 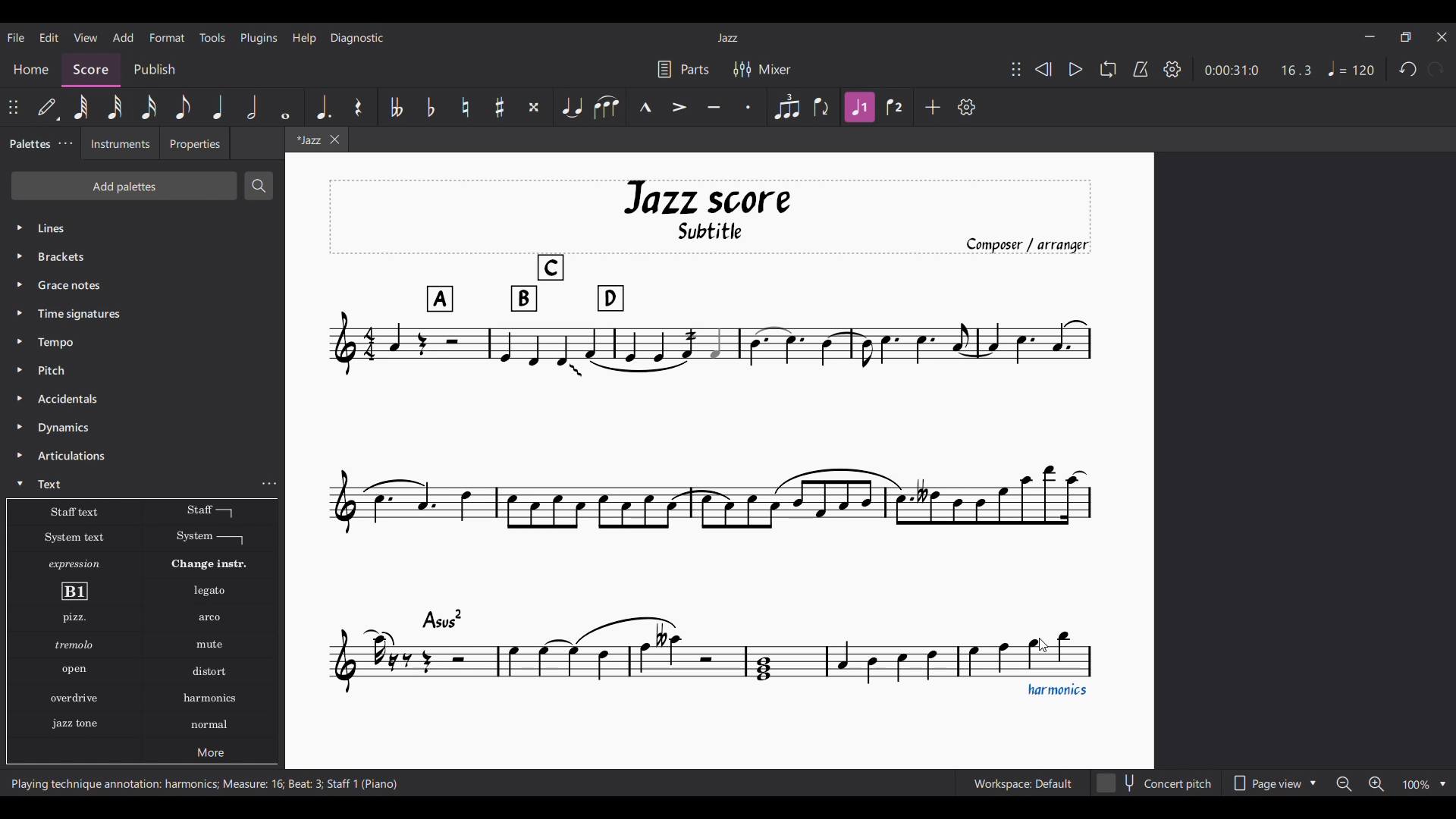 I want to click on Play, so click(x=1076, y=69).